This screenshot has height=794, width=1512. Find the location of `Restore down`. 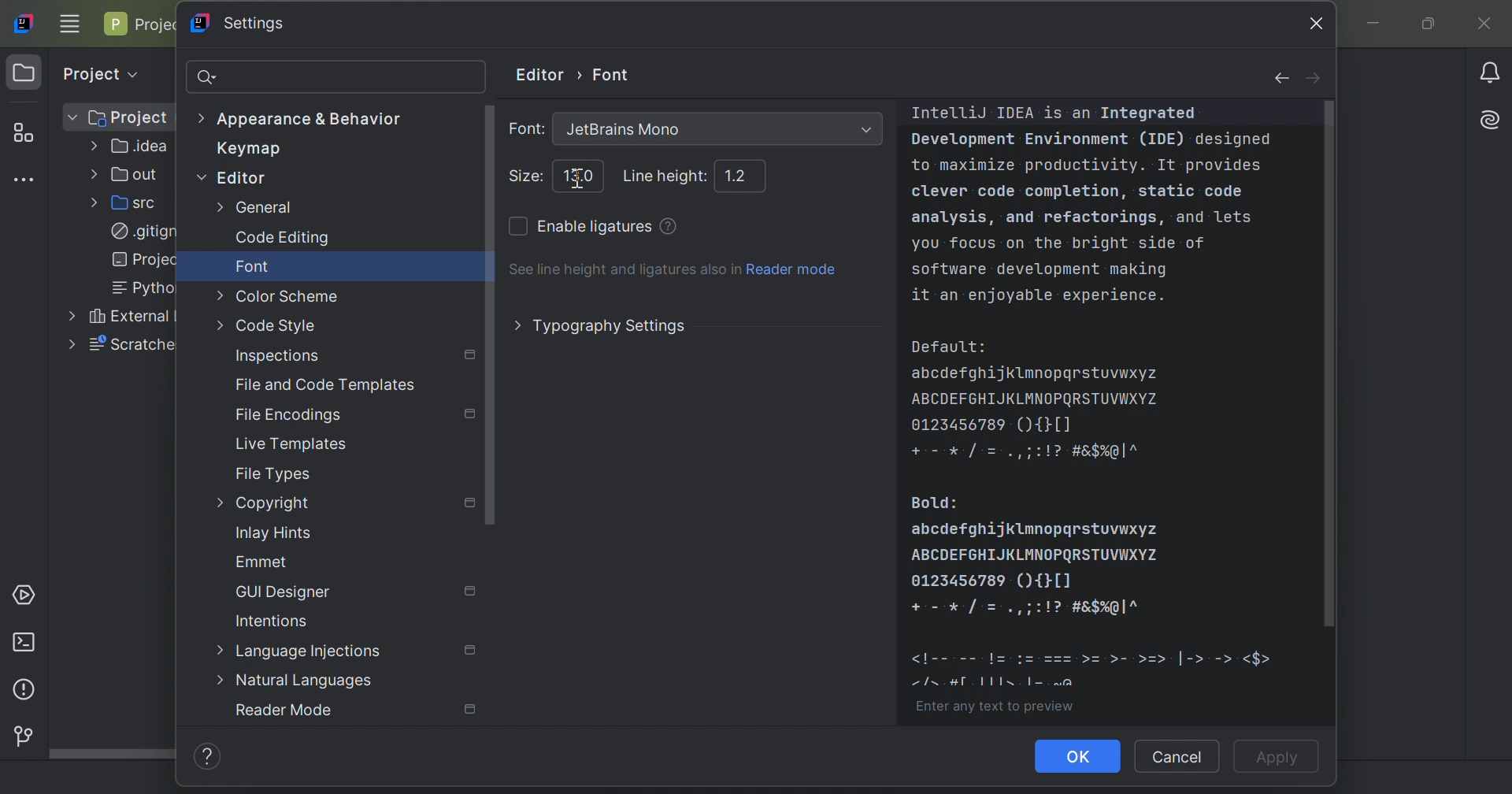

Restore down is located at coordinates (1426, 25).